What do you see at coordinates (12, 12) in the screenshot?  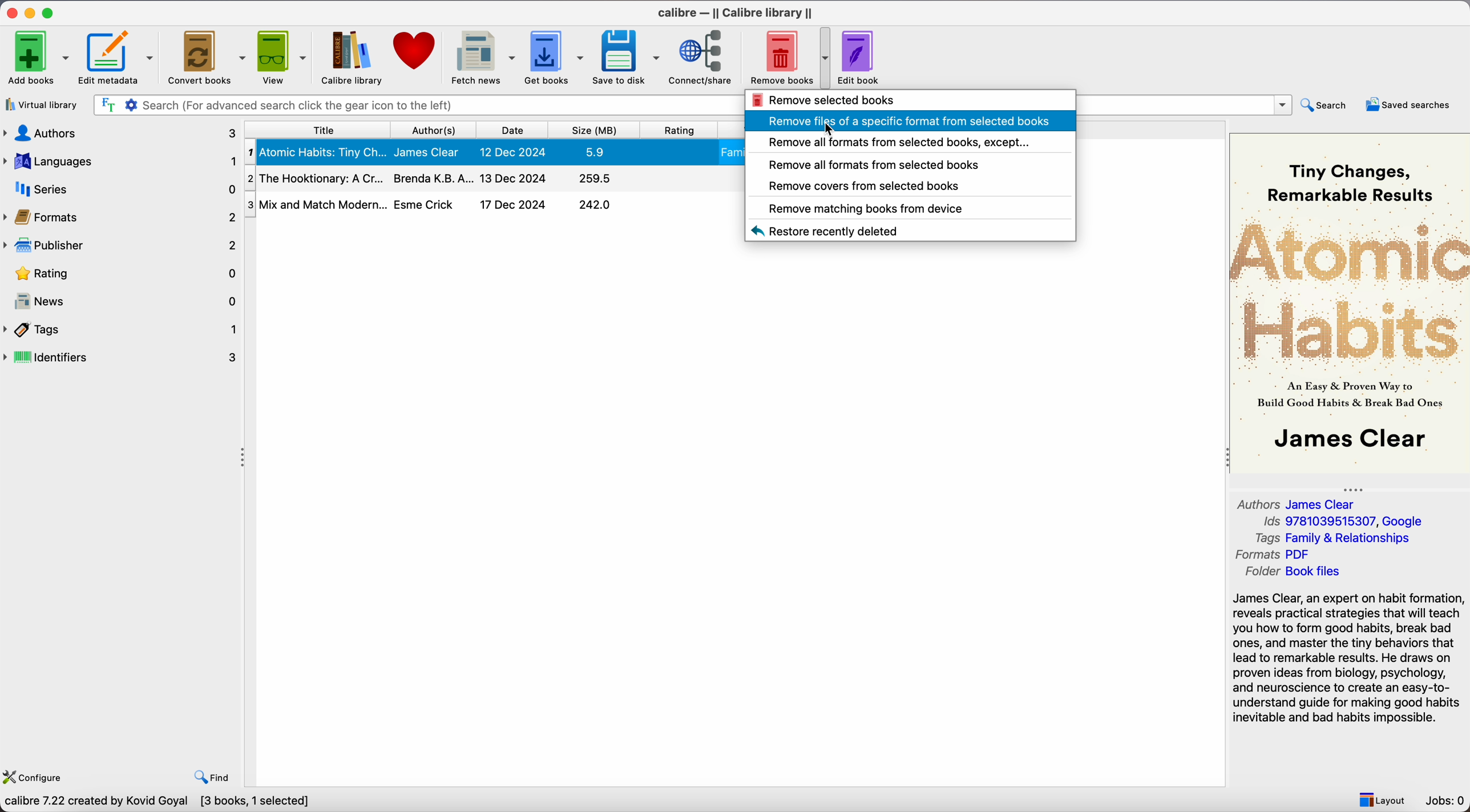 I see `close program` at bounding box center [12, 12].